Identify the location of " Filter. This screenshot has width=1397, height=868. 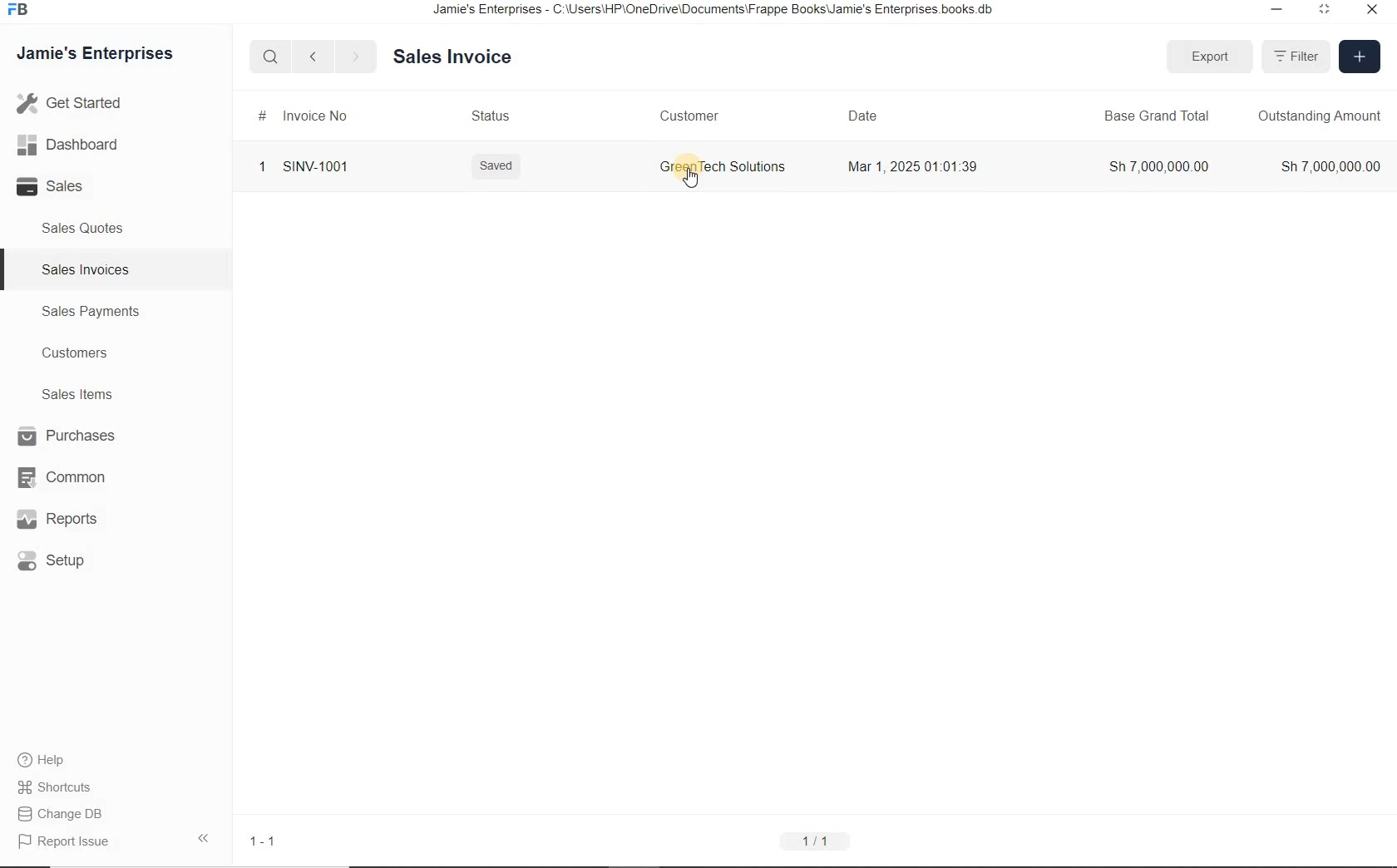
(1296, 57).